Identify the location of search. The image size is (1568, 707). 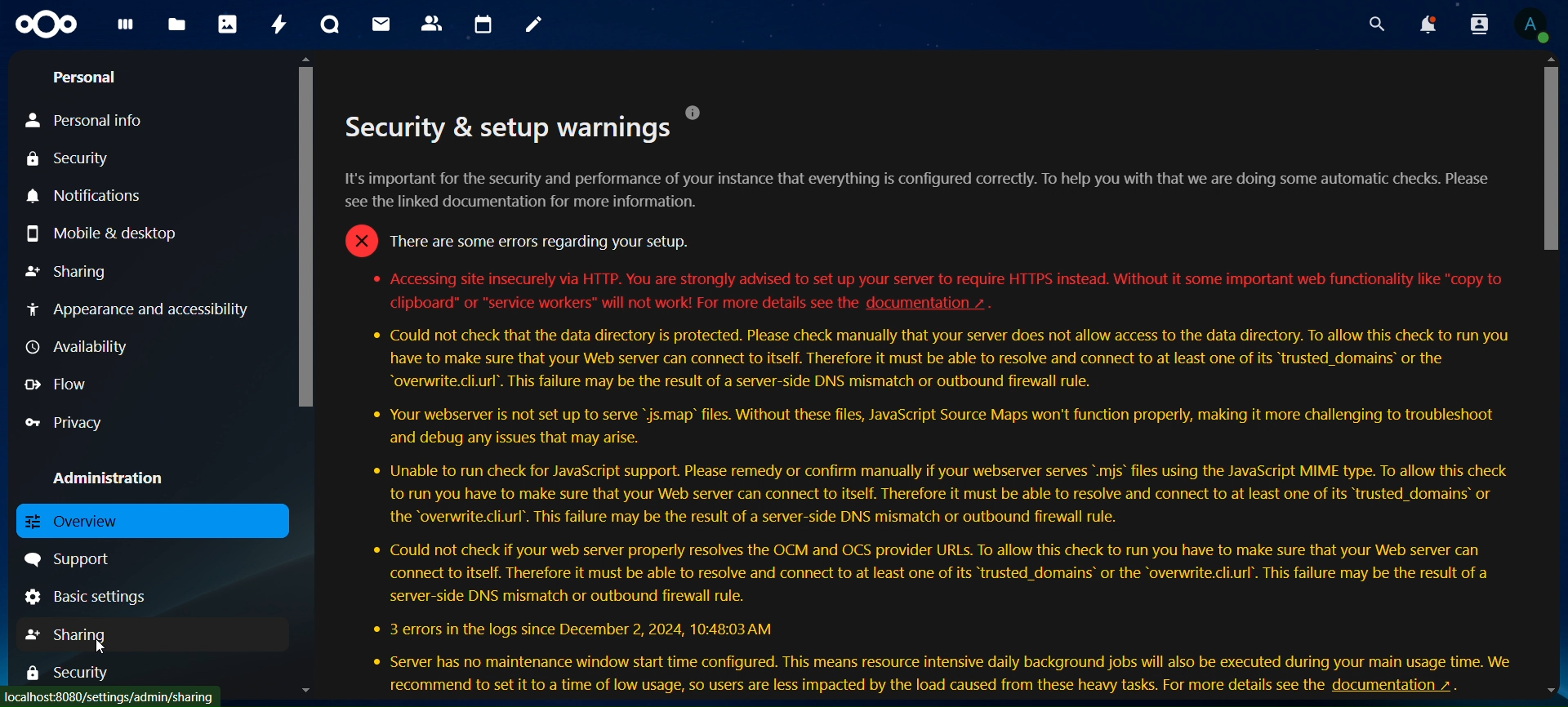
(1377, 23).